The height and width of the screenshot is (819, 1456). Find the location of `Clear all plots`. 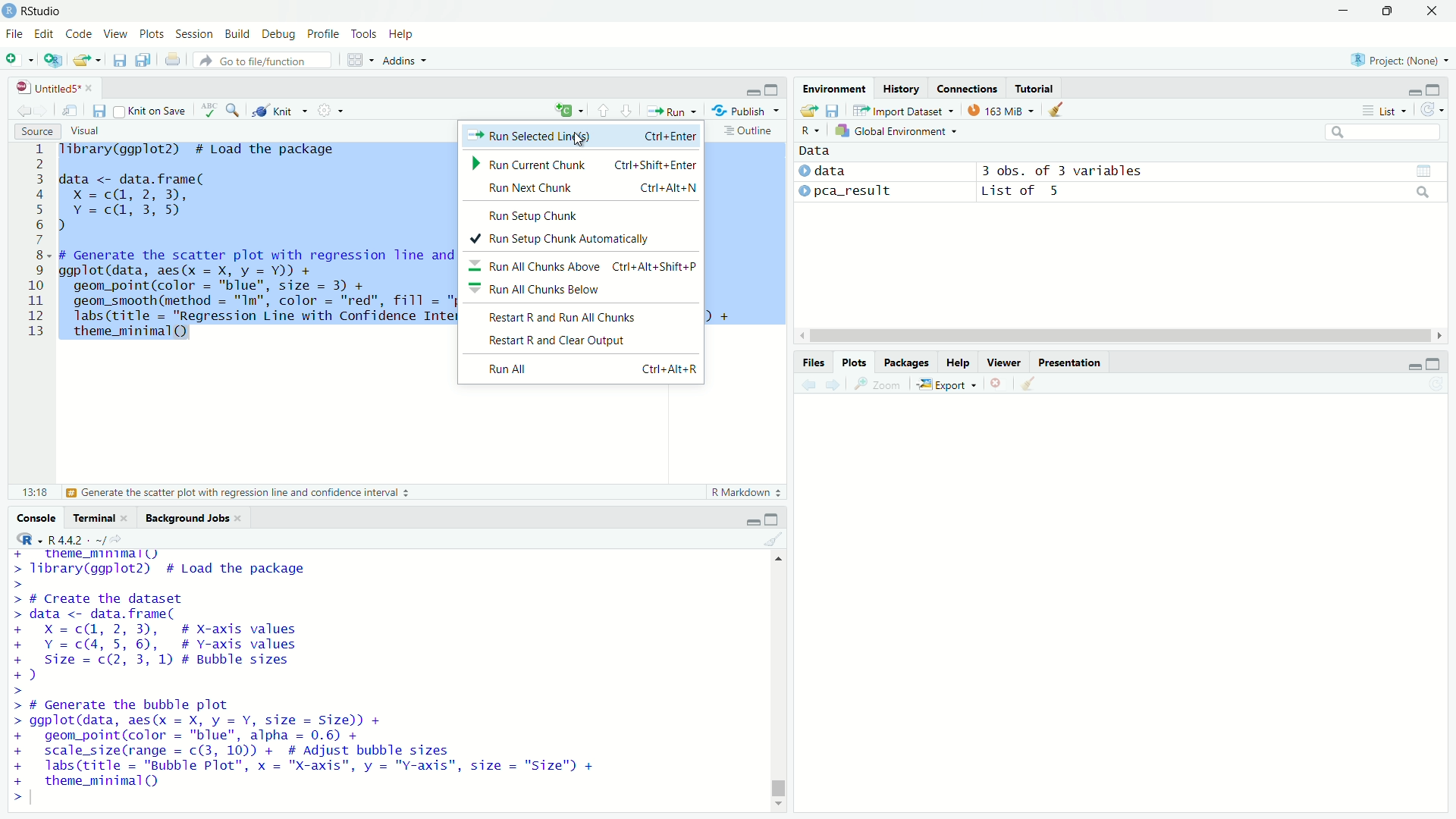

Clear all plots is located at coordinates (1028, 384).